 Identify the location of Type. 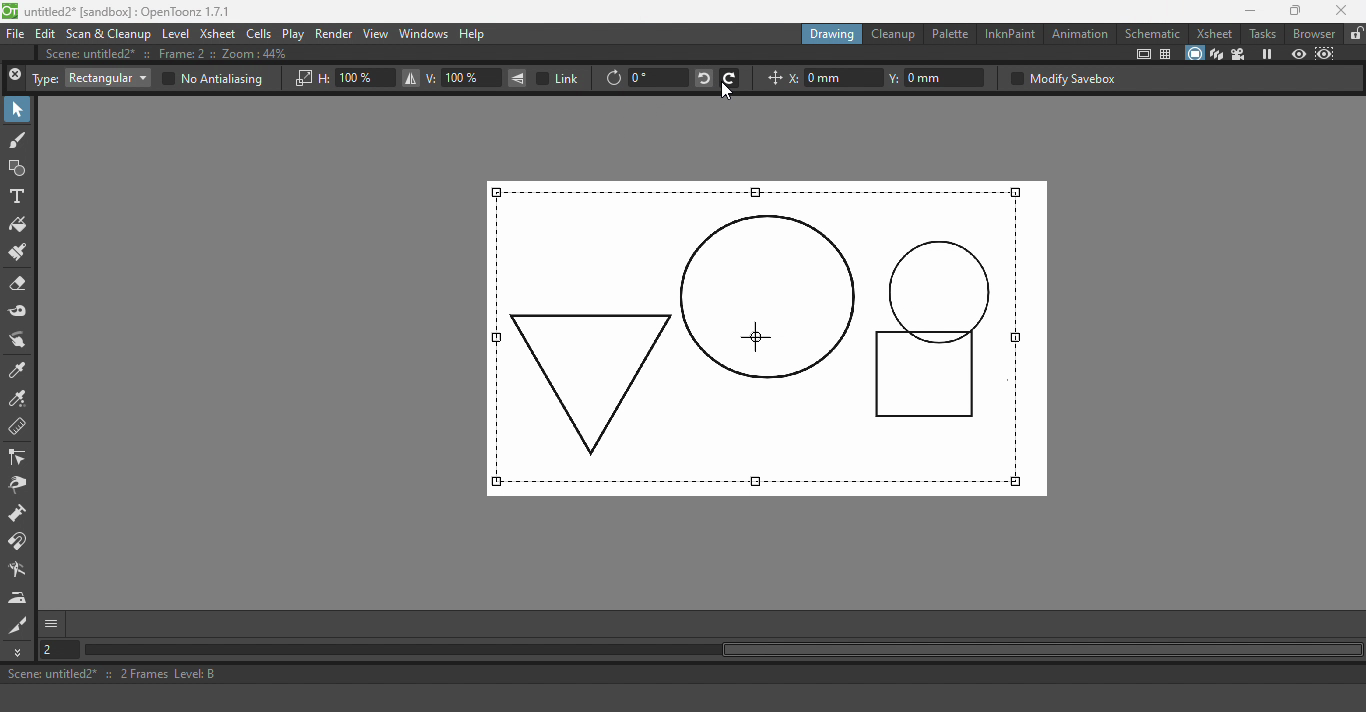
(45, 79).